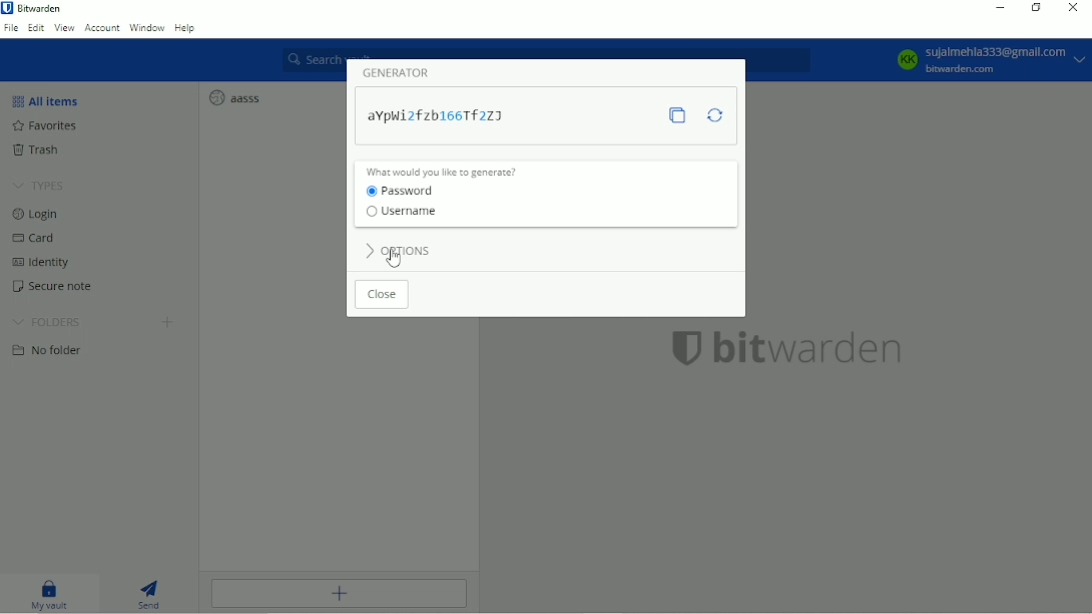  I want to click on Generator, so click(395, 72).